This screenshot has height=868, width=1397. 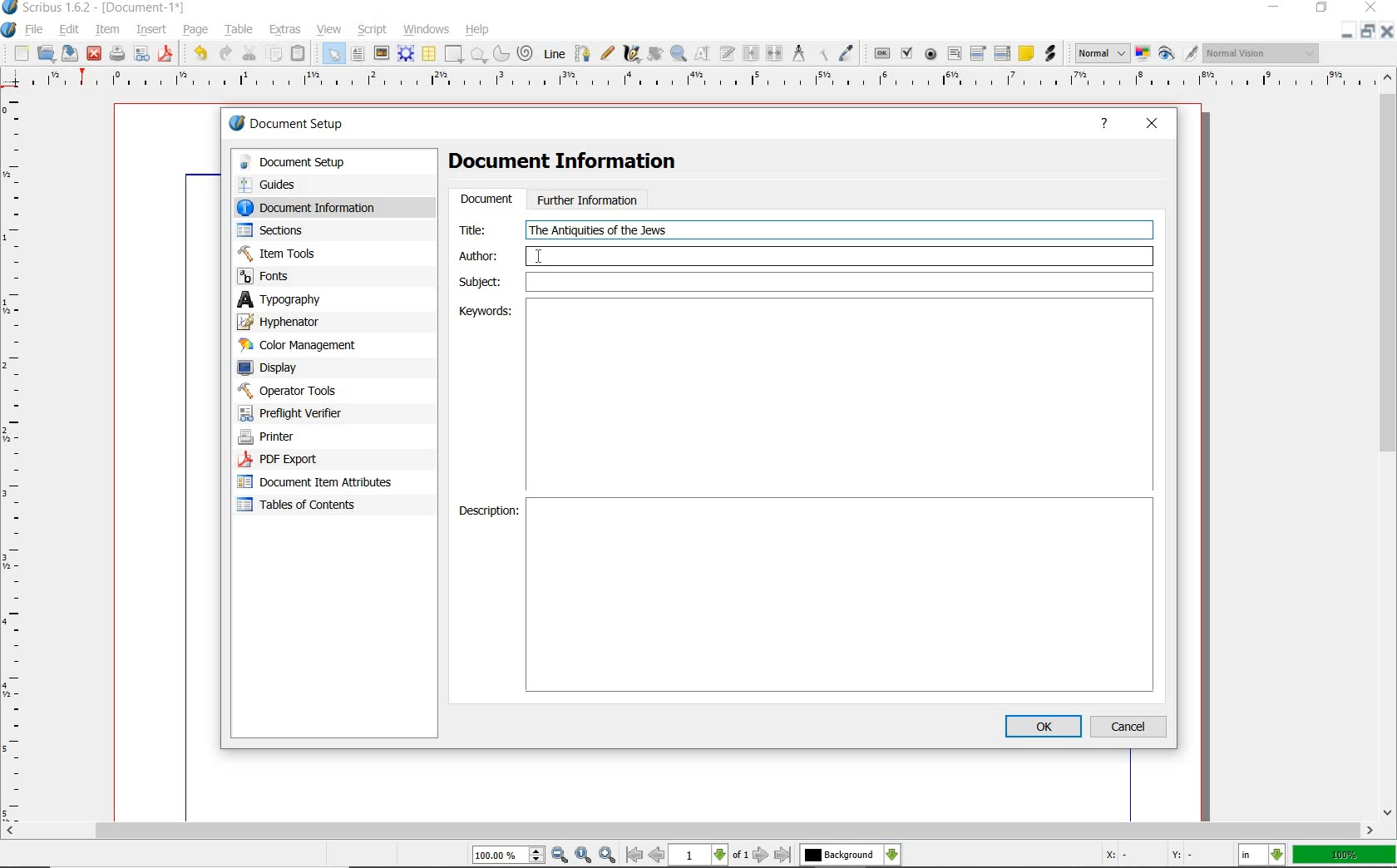 I want to click on author:, so click(x=481, y=255).